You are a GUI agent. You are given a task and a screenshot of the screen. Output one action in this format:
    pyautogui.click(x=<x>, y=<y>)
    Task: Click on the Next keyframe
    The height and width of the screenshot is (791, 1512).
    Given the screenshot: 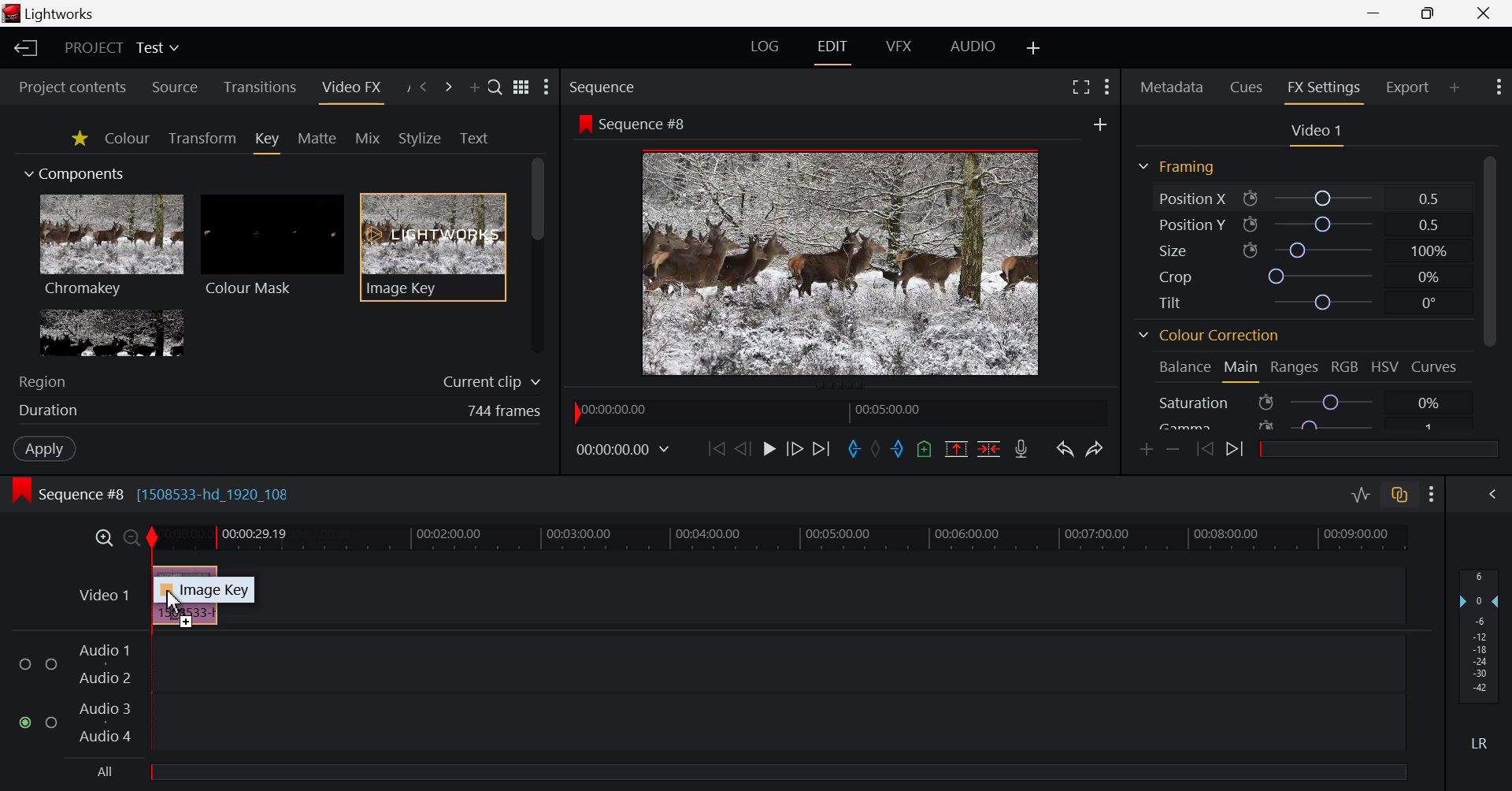 What is the action you would take?
    pyautogui.click(x=1235, y=452)
    